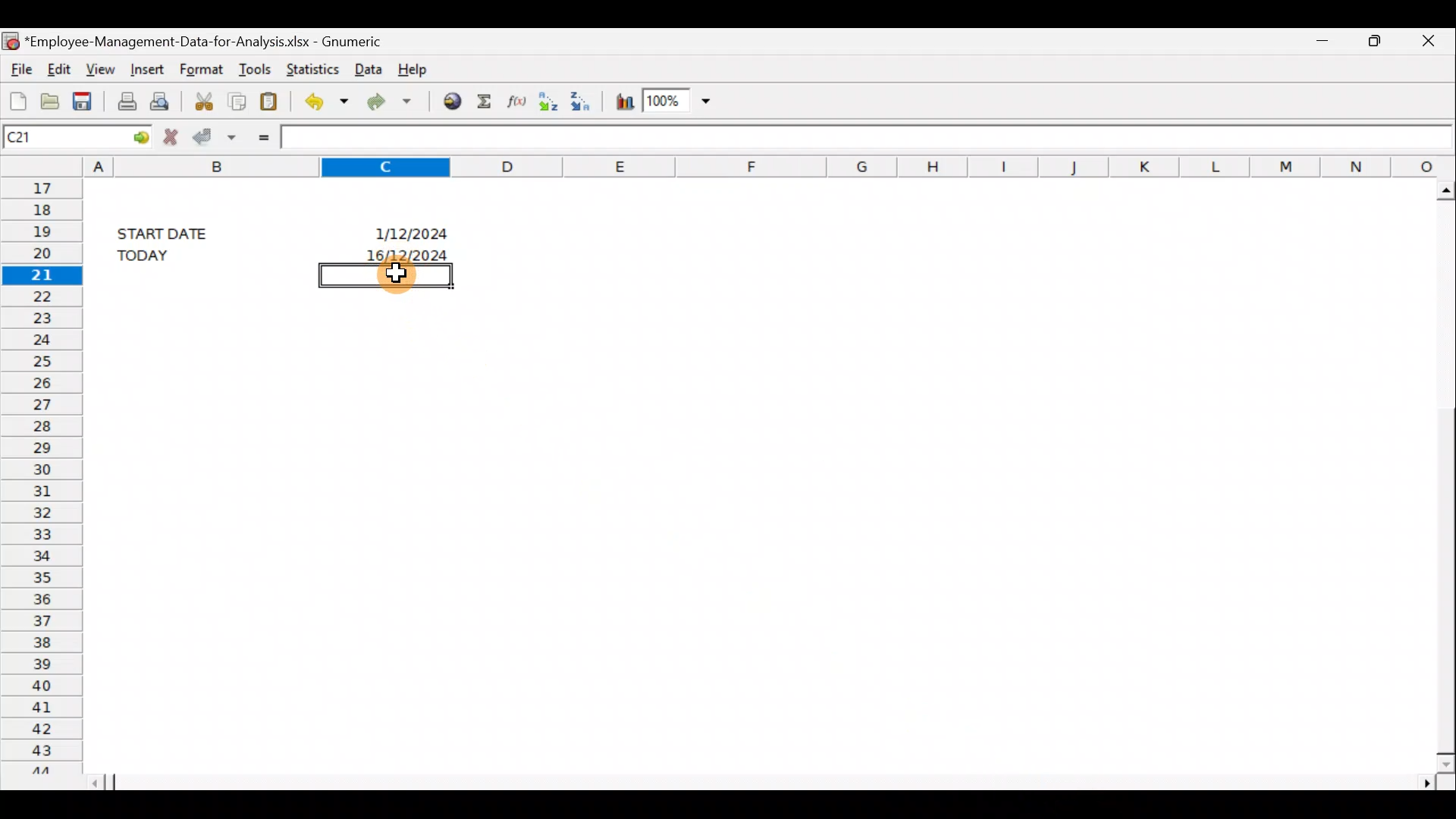 This screenshot has width=1456, height=819. I want to click on START DATE, so click(171, 231).